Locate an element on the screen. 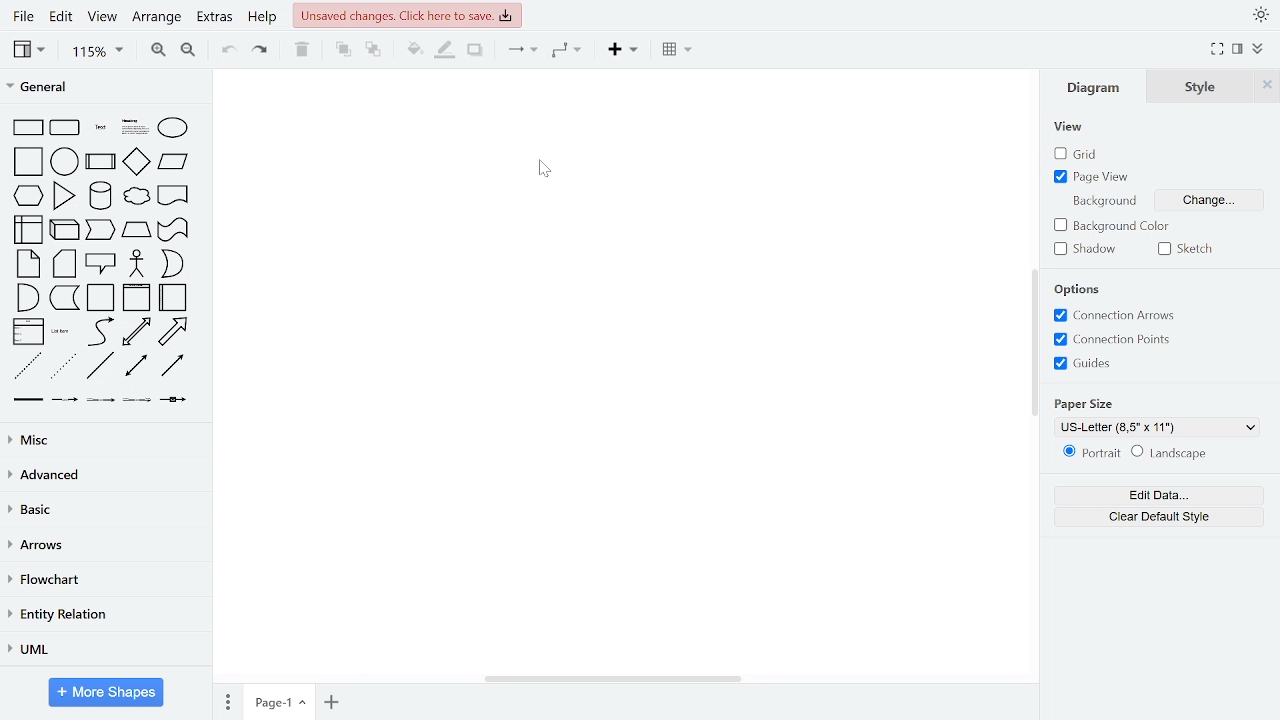 Image resolution: width=1280 pixels, height=720 pixels. card is located at coordinates (64, 264).